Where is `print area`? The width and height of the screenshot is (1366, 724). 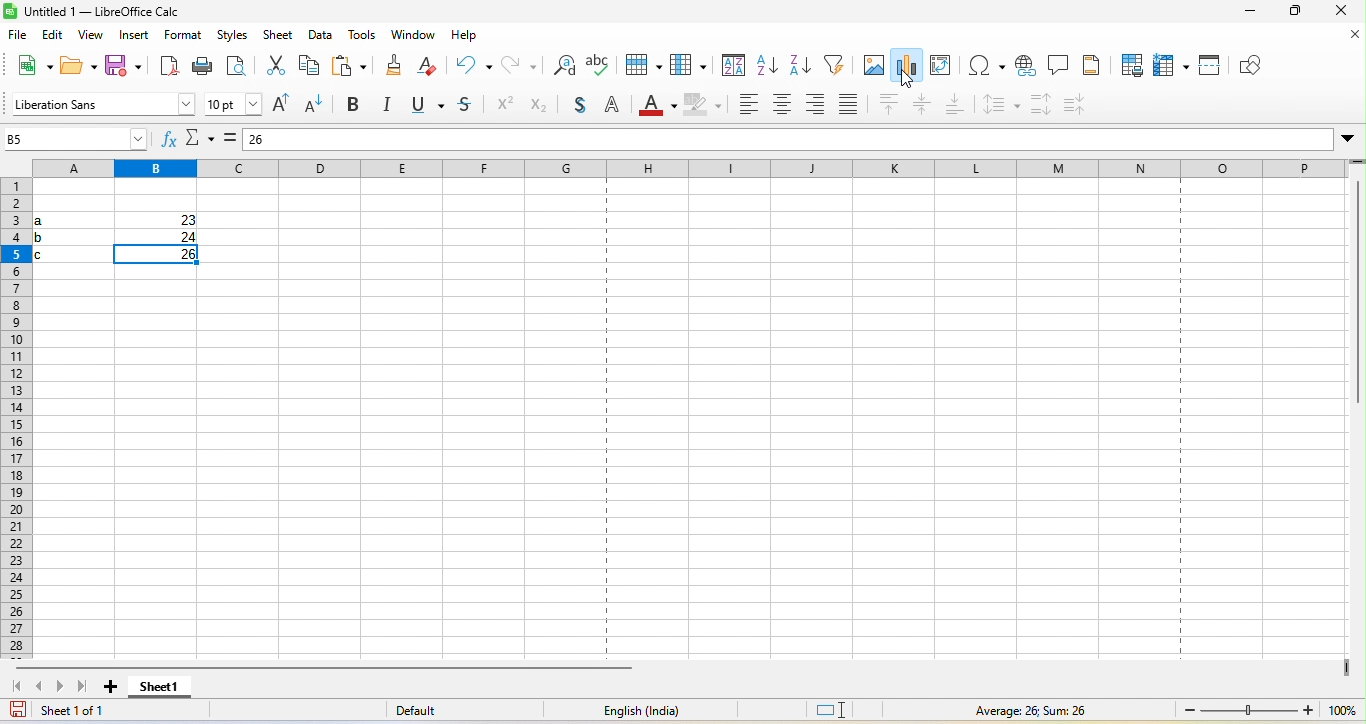 print area is located at coordinates (1126, 63).